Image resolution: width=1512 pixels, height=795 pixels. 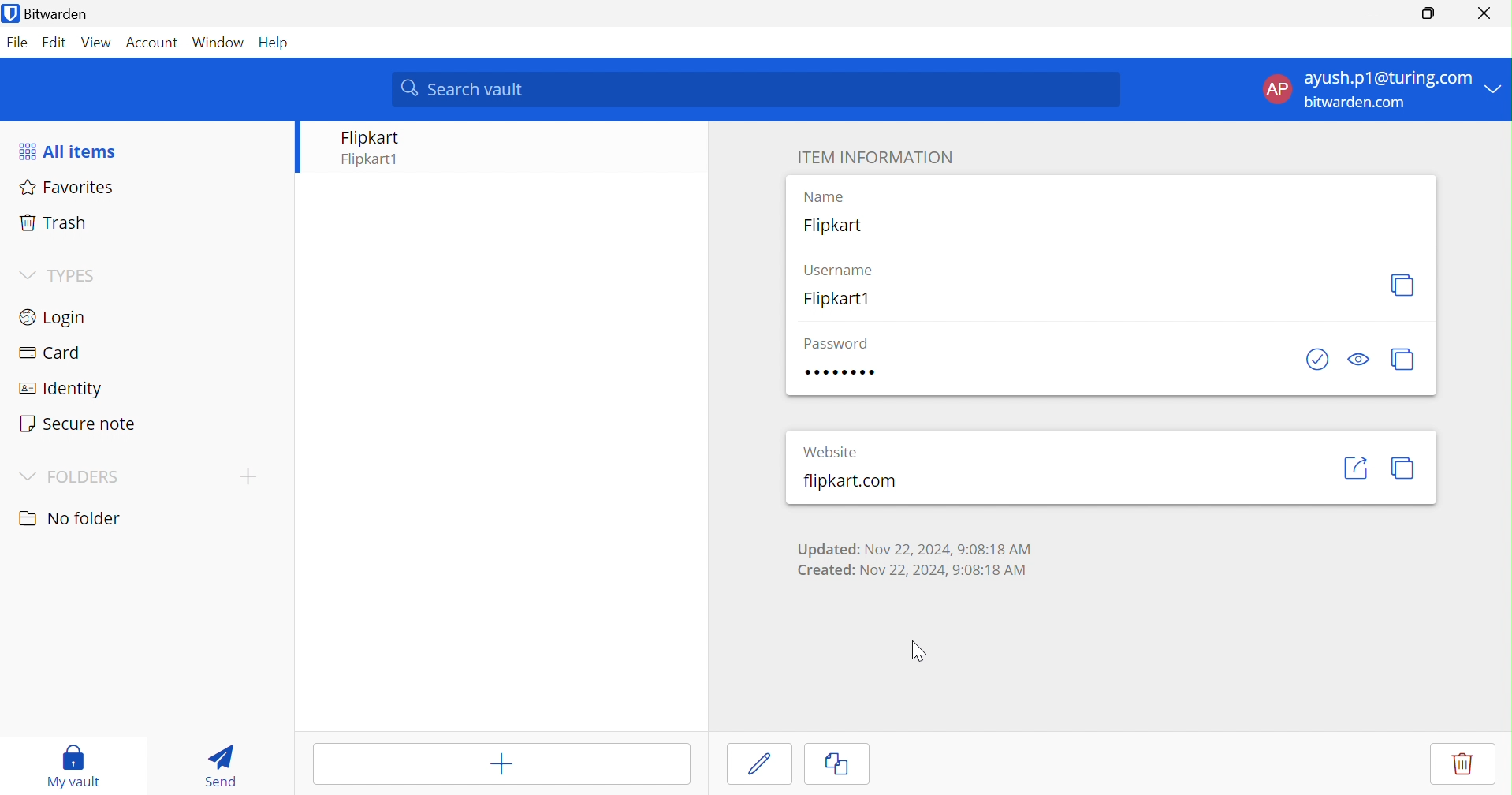 What do you see at coordinates (70, 151) in the screenshot?
I see `All items` at bounding box center [70, 151].